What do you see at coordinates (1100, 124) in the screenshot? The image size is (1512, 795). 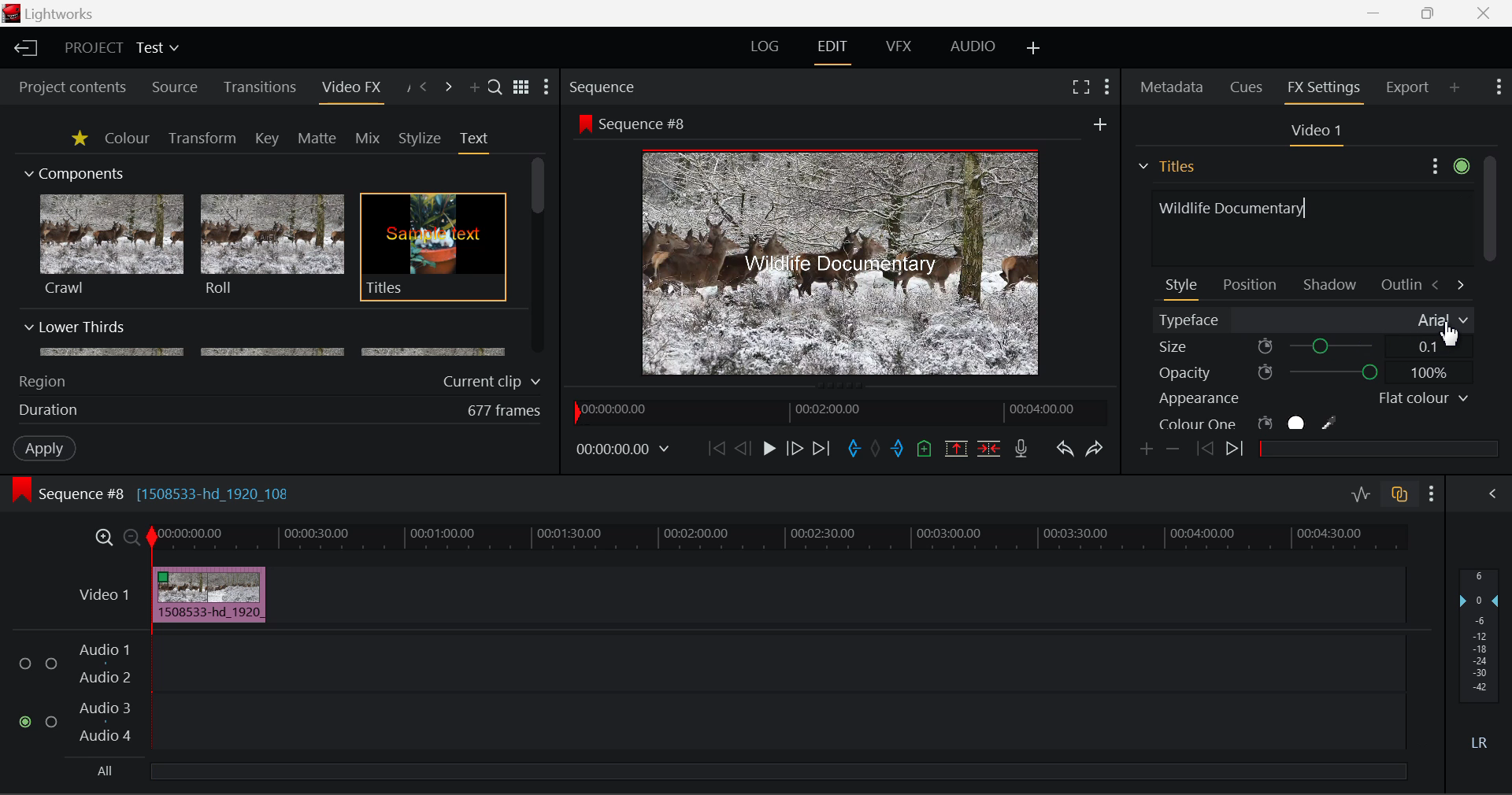 I see `add` at bounding box center [1100, 124].